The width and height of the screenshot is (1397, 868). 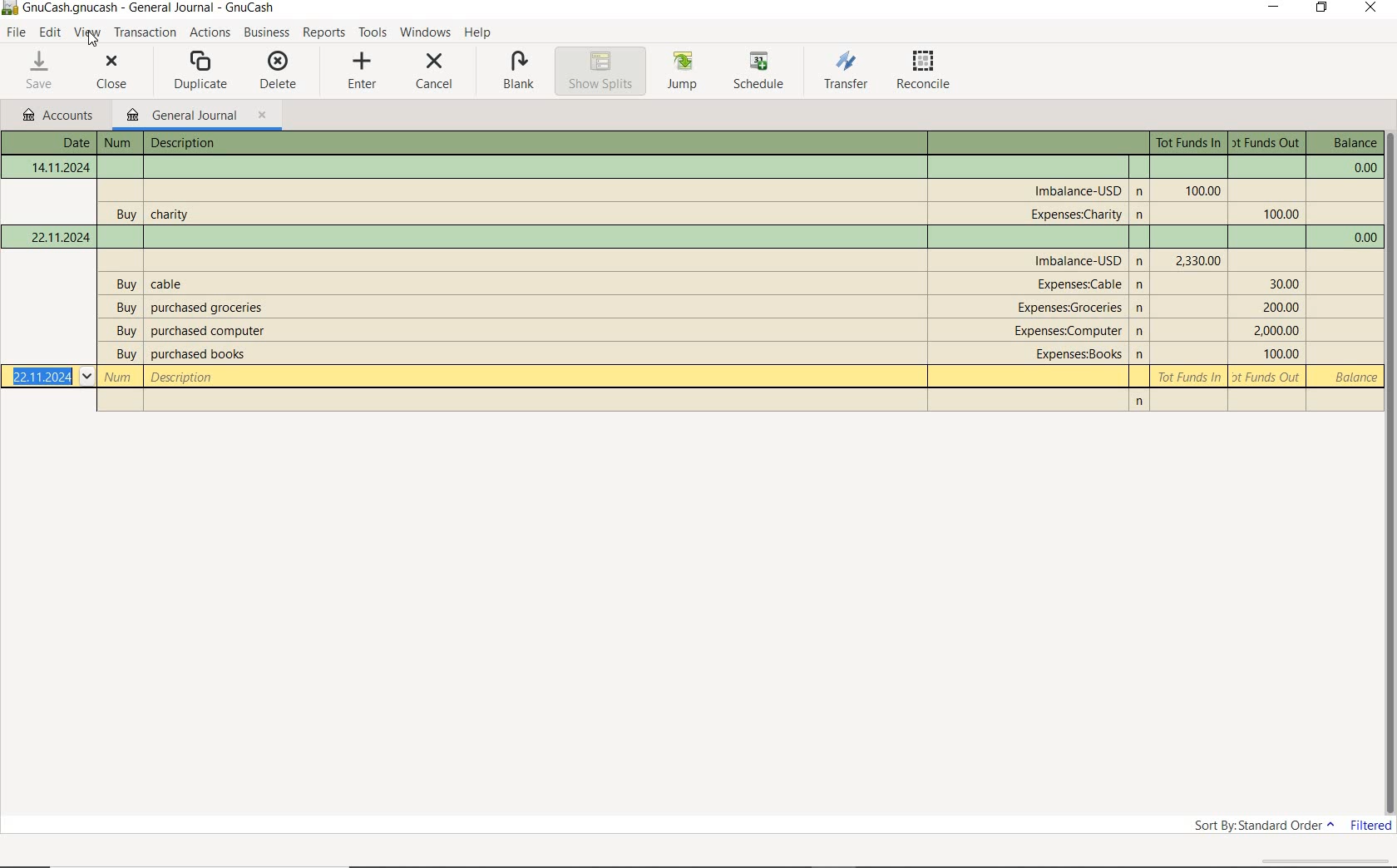 What do you see at coordinates (1265, 827) in the screenshot?
I see `SORT BY: STANDARD ORDER` at bounding box center [1265, 827].